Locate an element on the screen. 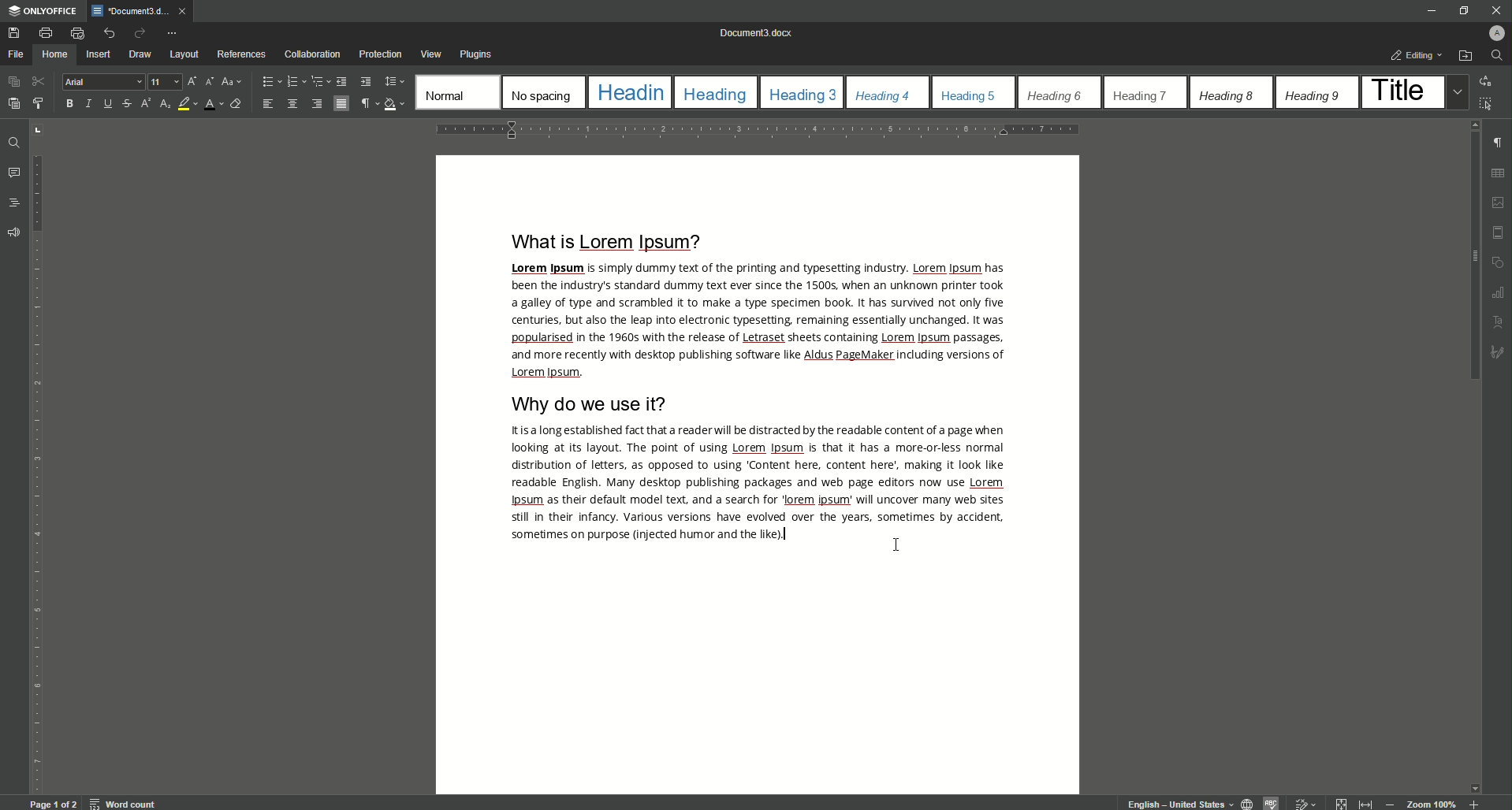  grid is located at coordinates (1499, 170).